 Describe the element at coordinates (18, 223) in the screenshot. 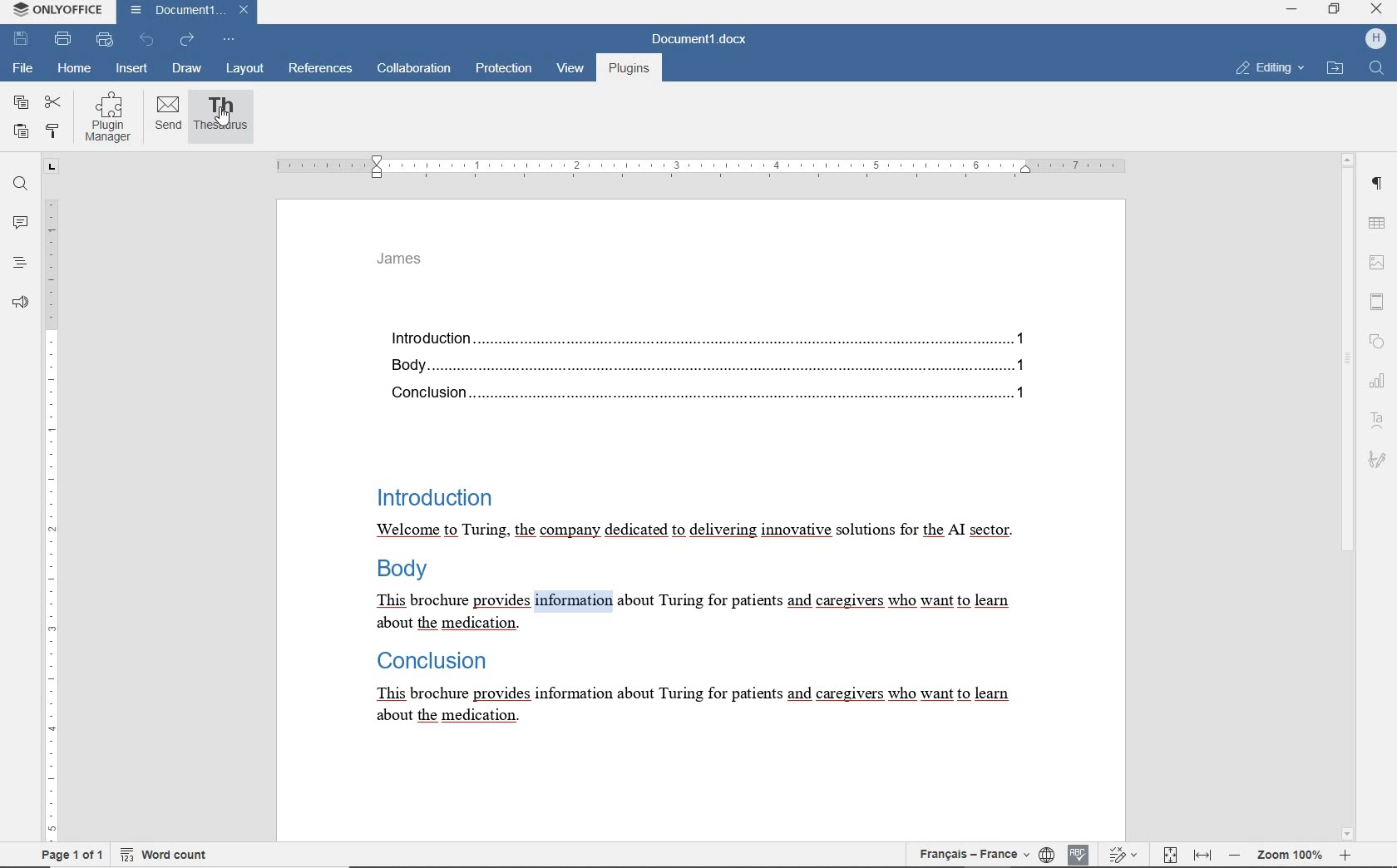

I see `COMMENTS` at that location.